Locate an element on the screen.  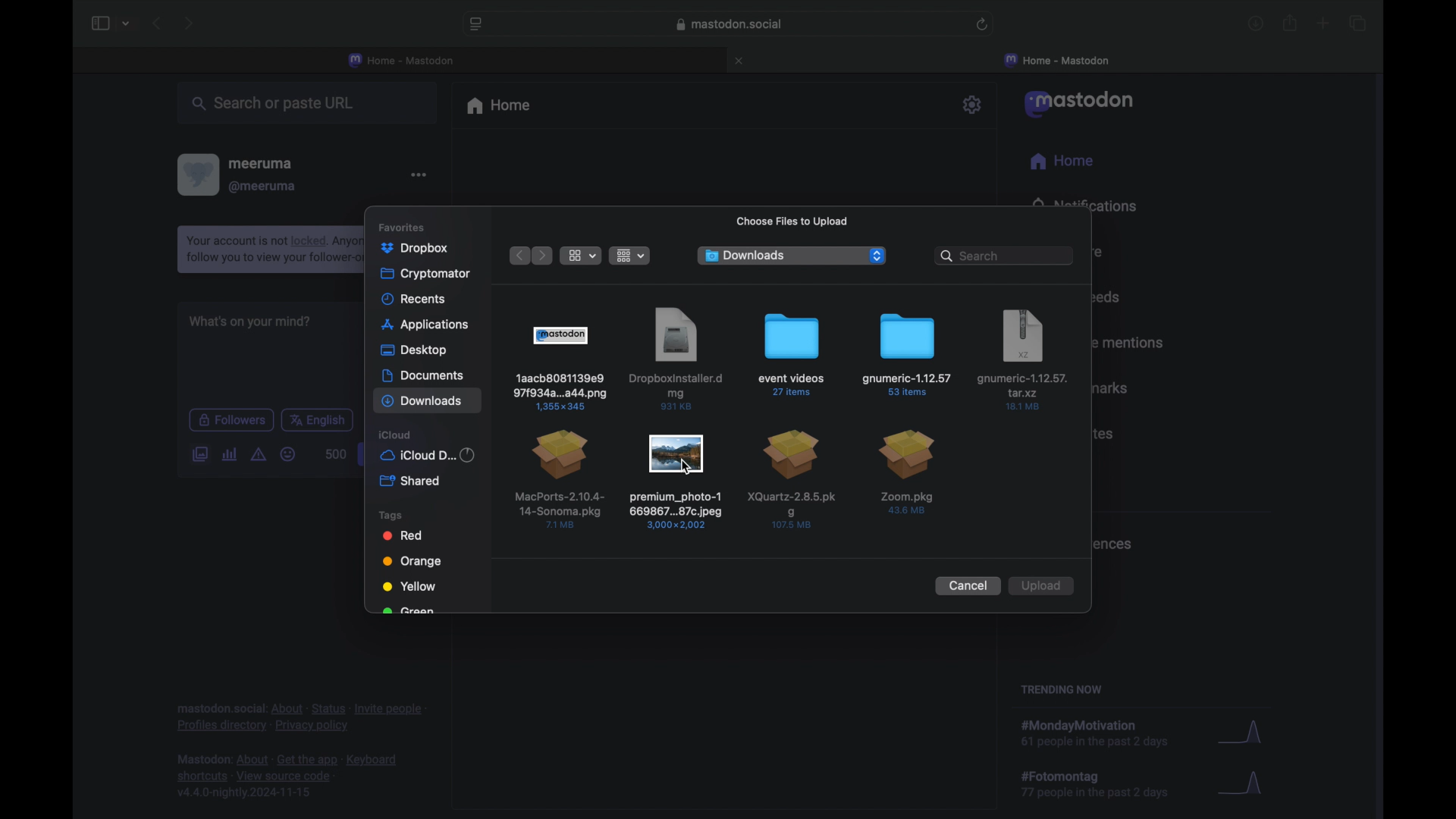
documents is located at coordinates (423, 375).